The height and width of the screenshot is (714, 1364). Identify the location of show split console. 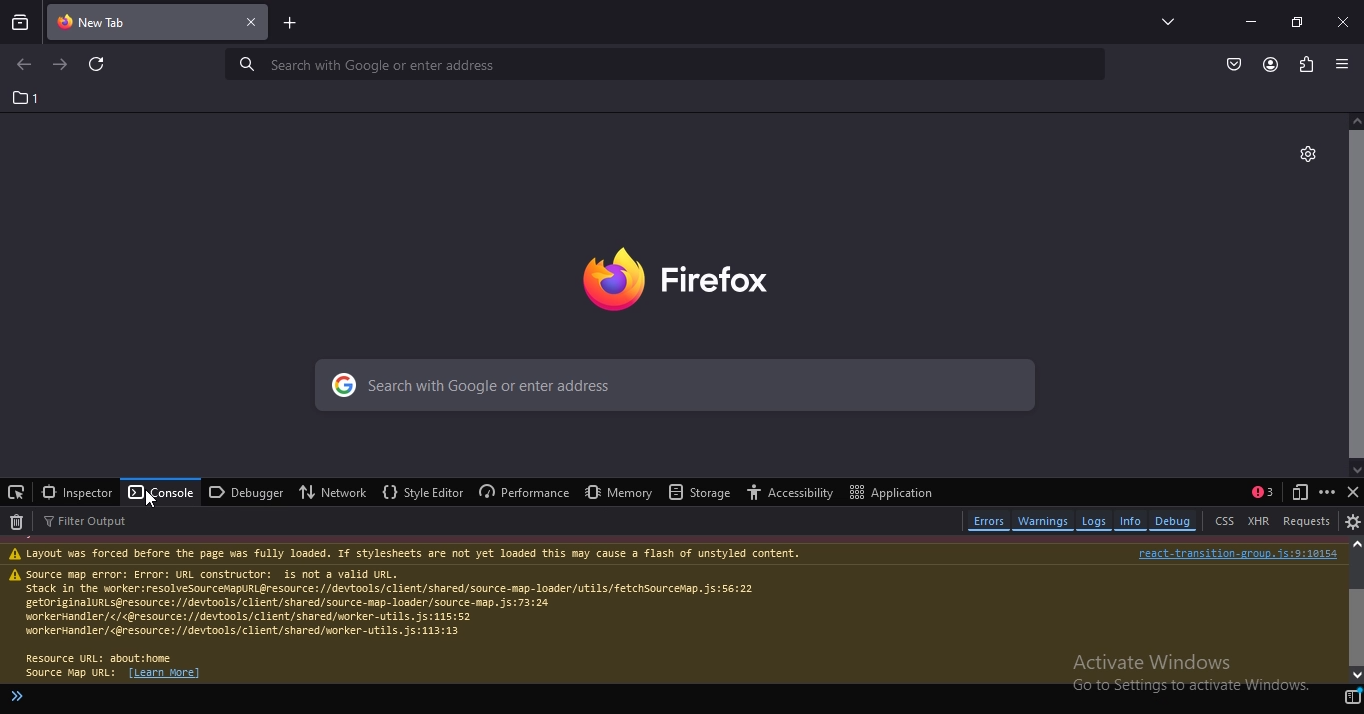
(1260, 491).